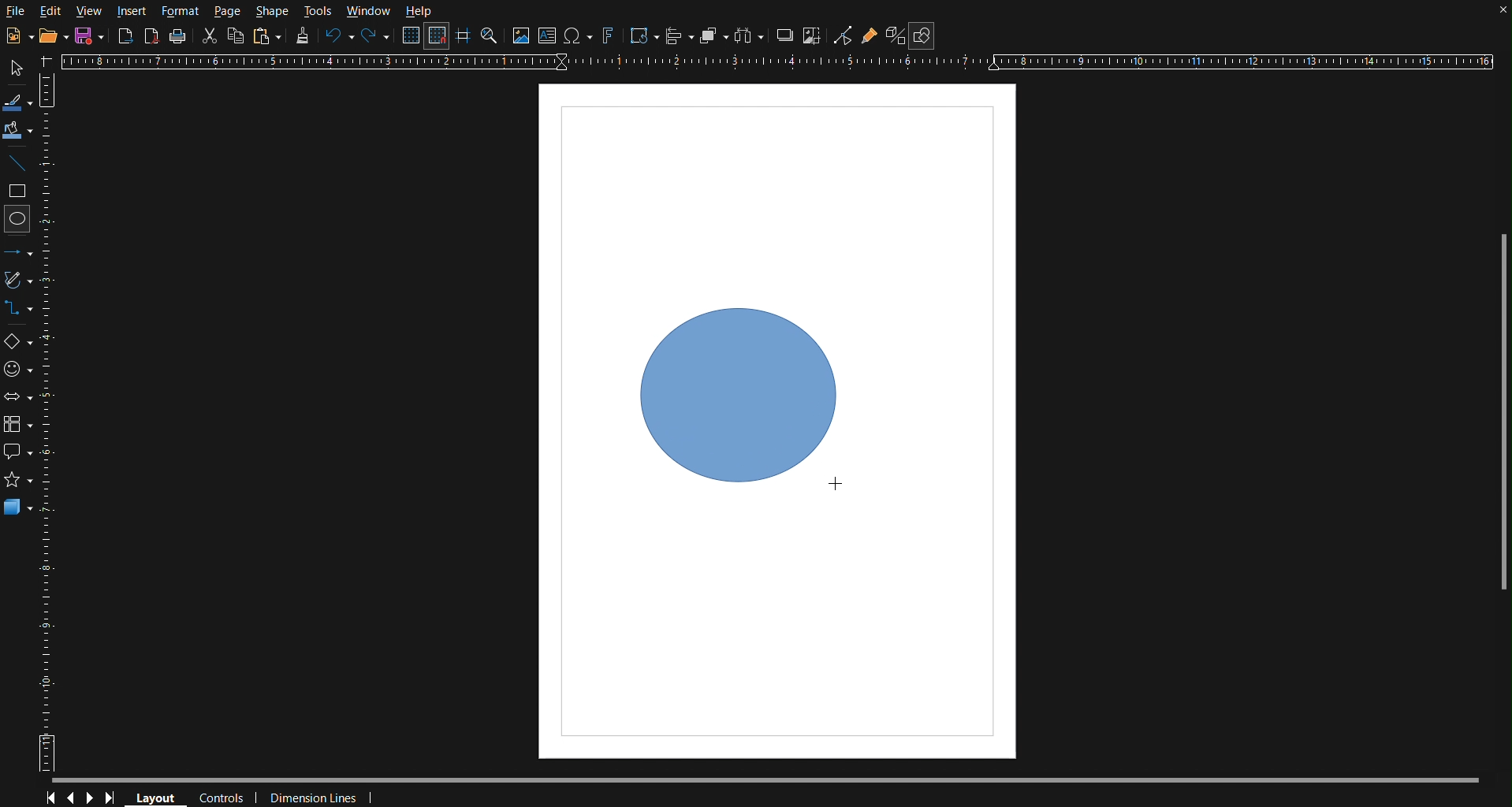  What do you see at coordinates (19, 222) in the screenshot?
I see `Circle` at bounding box center [19, 222].